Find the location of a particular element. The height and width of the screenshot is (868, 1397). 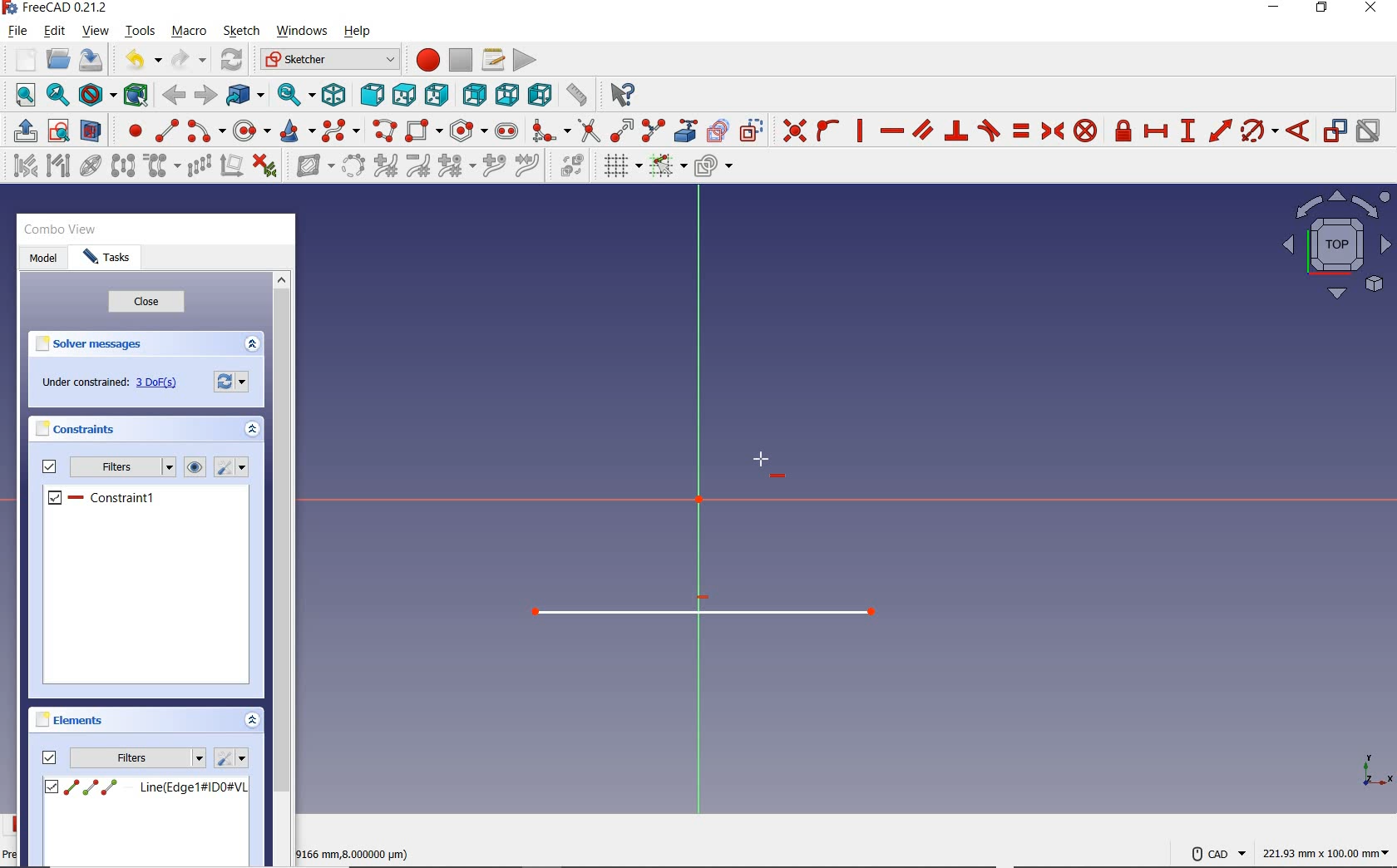

CONSTRAIN EQUAL is located at coordinates (1022, 131).